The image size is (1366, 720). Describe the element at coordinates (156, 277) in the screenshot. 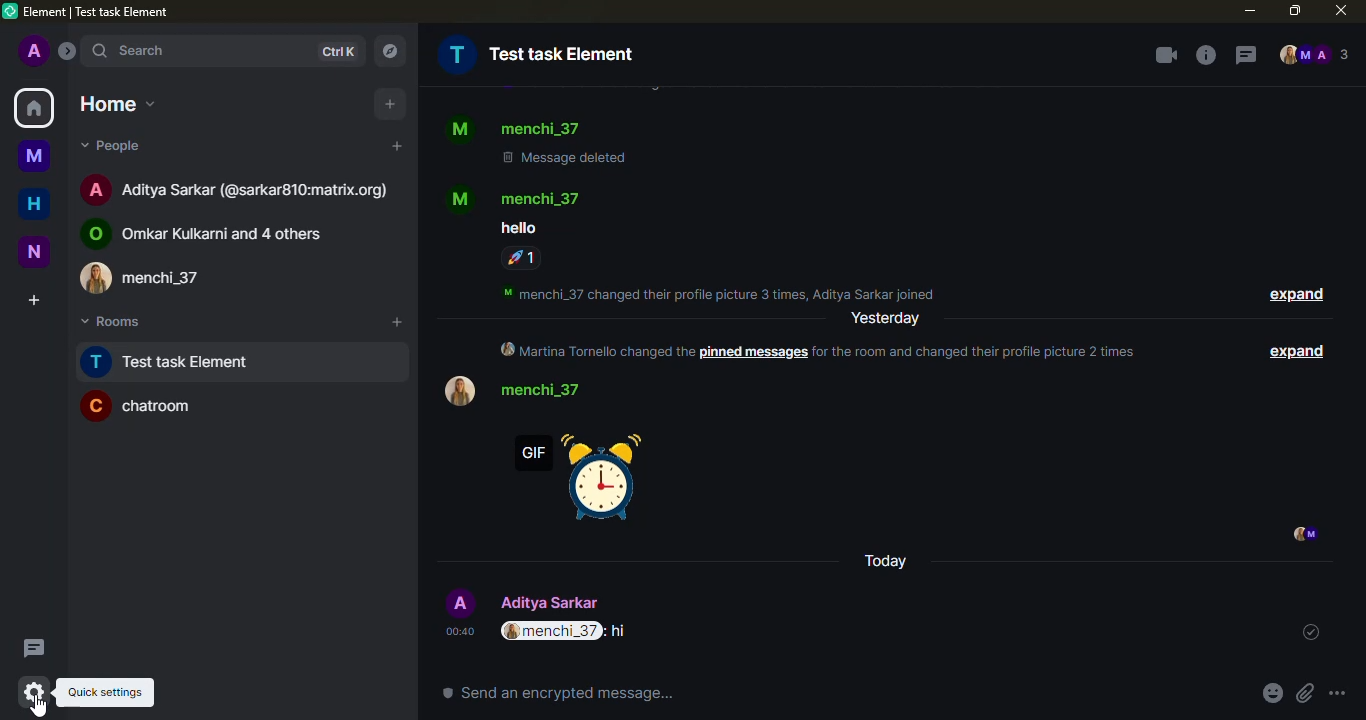

I see `contact` at that location.